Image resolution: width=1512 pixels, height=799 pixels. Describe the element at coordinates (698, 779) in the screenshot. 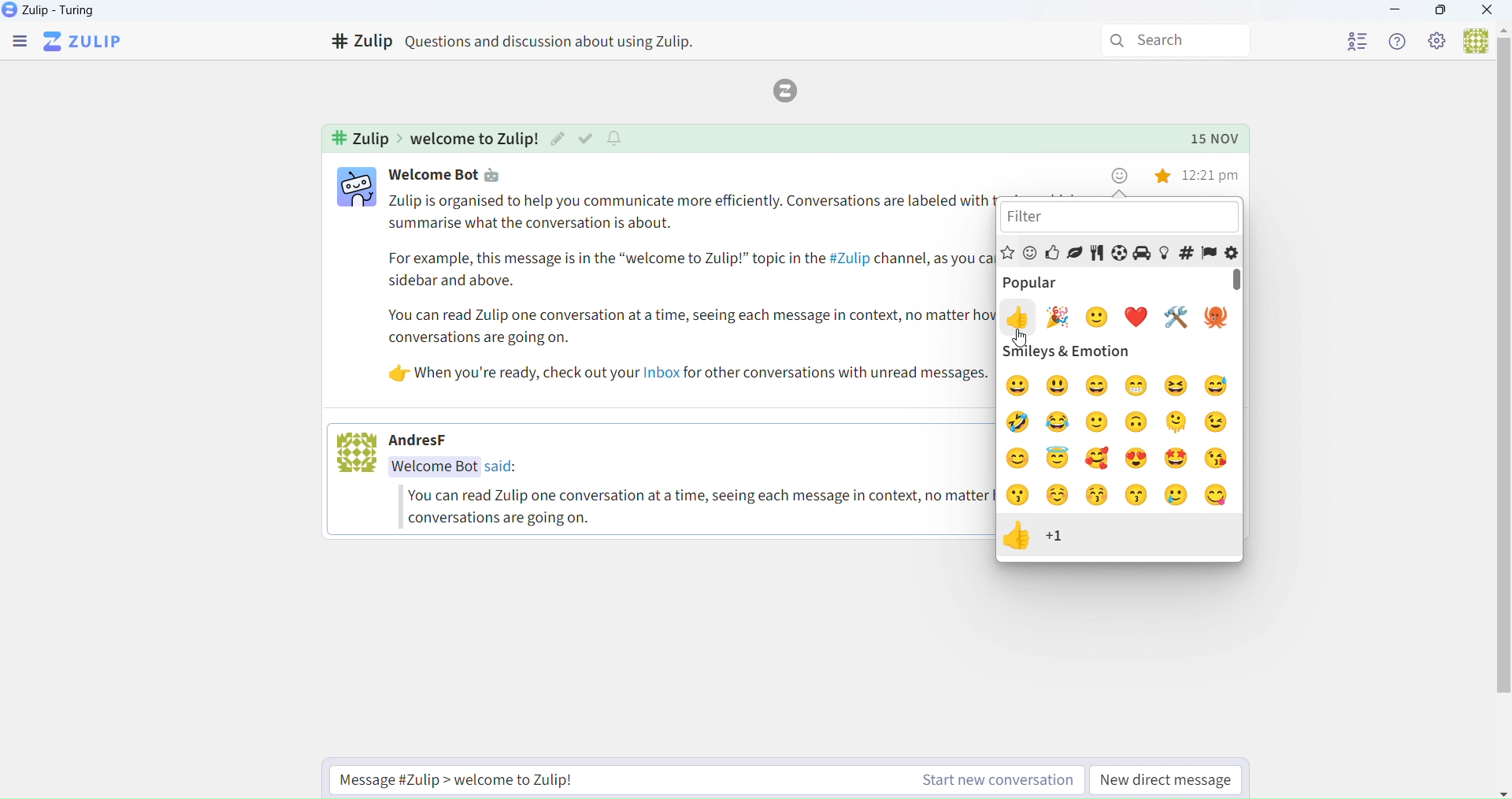

I see `Start new conversation` at that location.